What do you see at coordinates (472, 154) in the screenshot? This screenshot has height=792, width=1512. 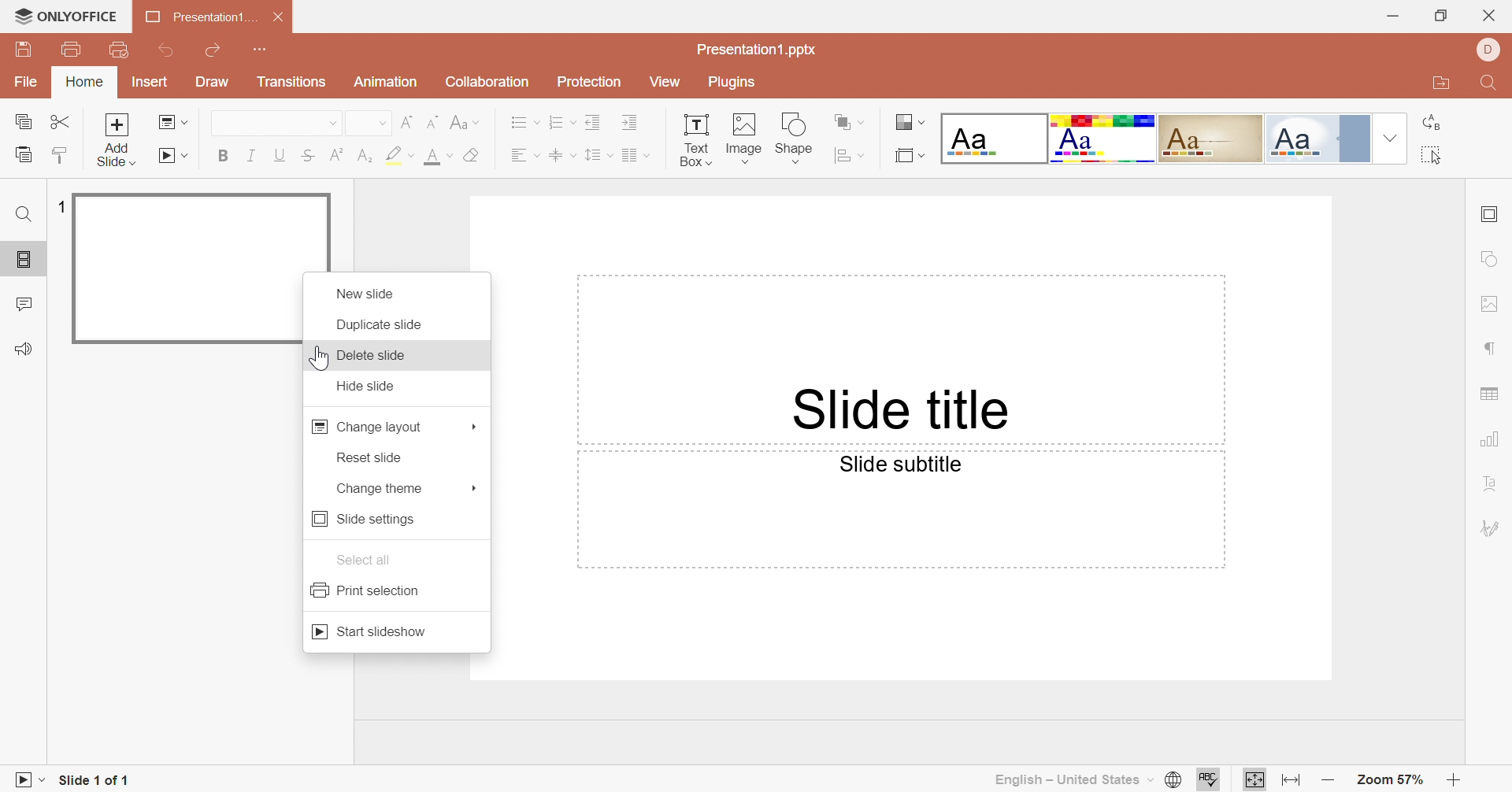 I see `Clear style` at bounding box center [472, 154].